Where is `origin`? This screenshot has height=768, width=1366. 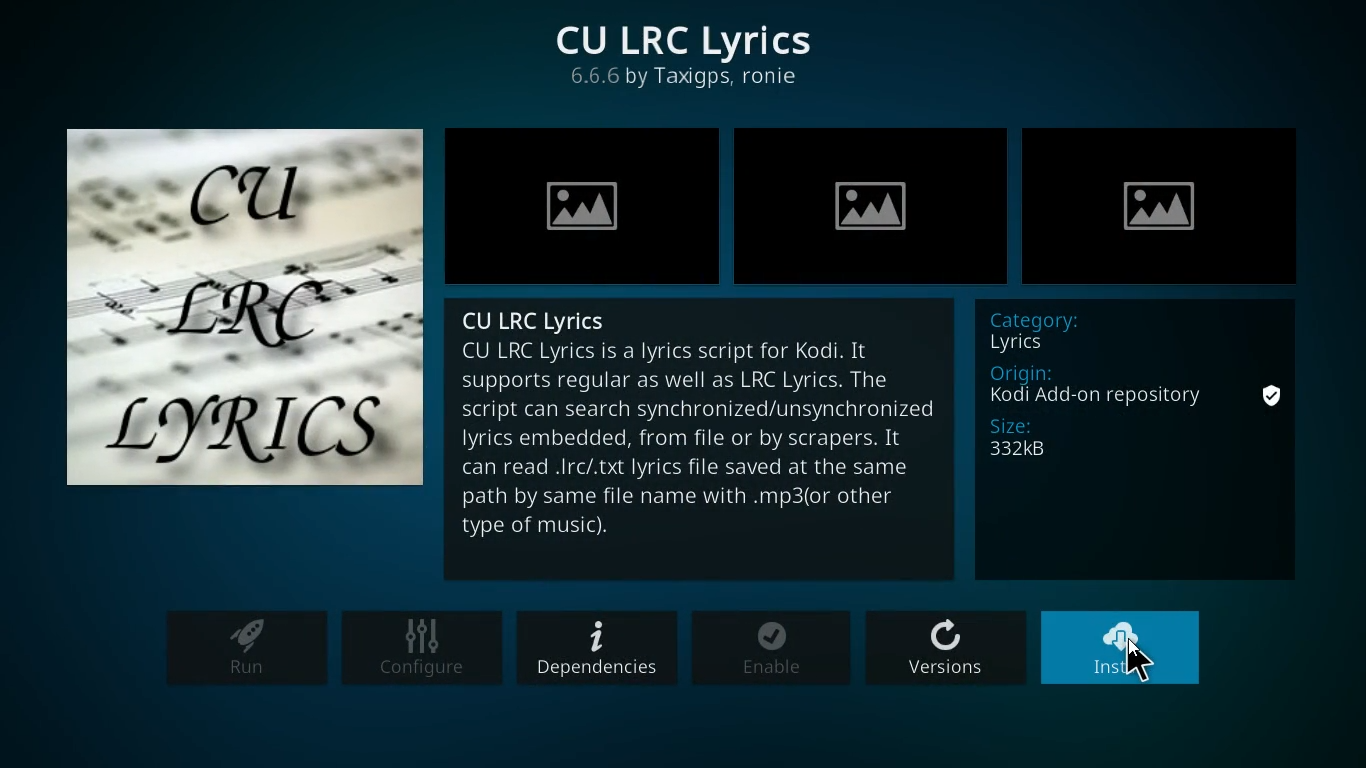 origin is located at coordinates (1100, 386).